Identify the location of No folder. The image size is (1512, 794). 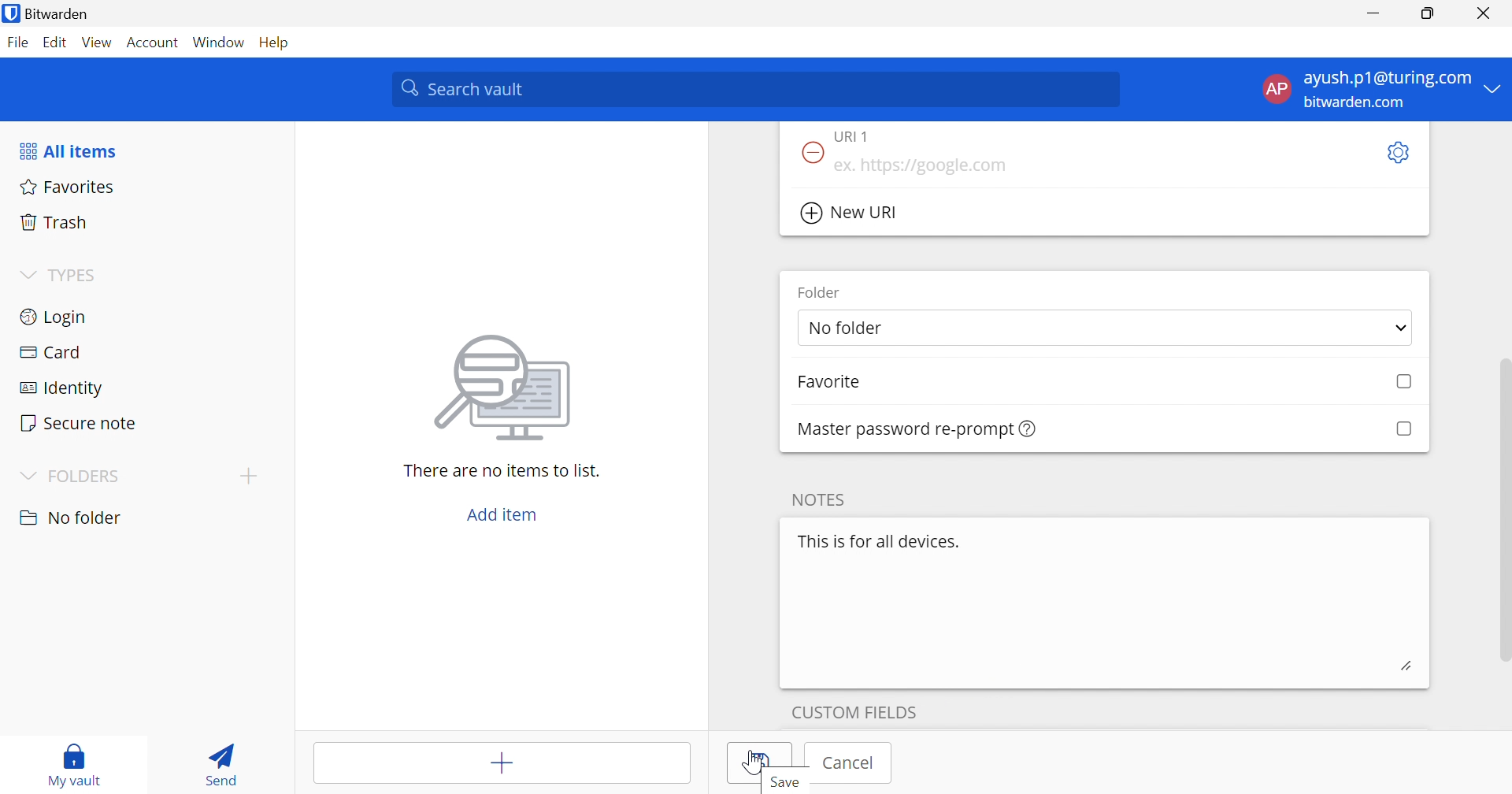
(848, 329).